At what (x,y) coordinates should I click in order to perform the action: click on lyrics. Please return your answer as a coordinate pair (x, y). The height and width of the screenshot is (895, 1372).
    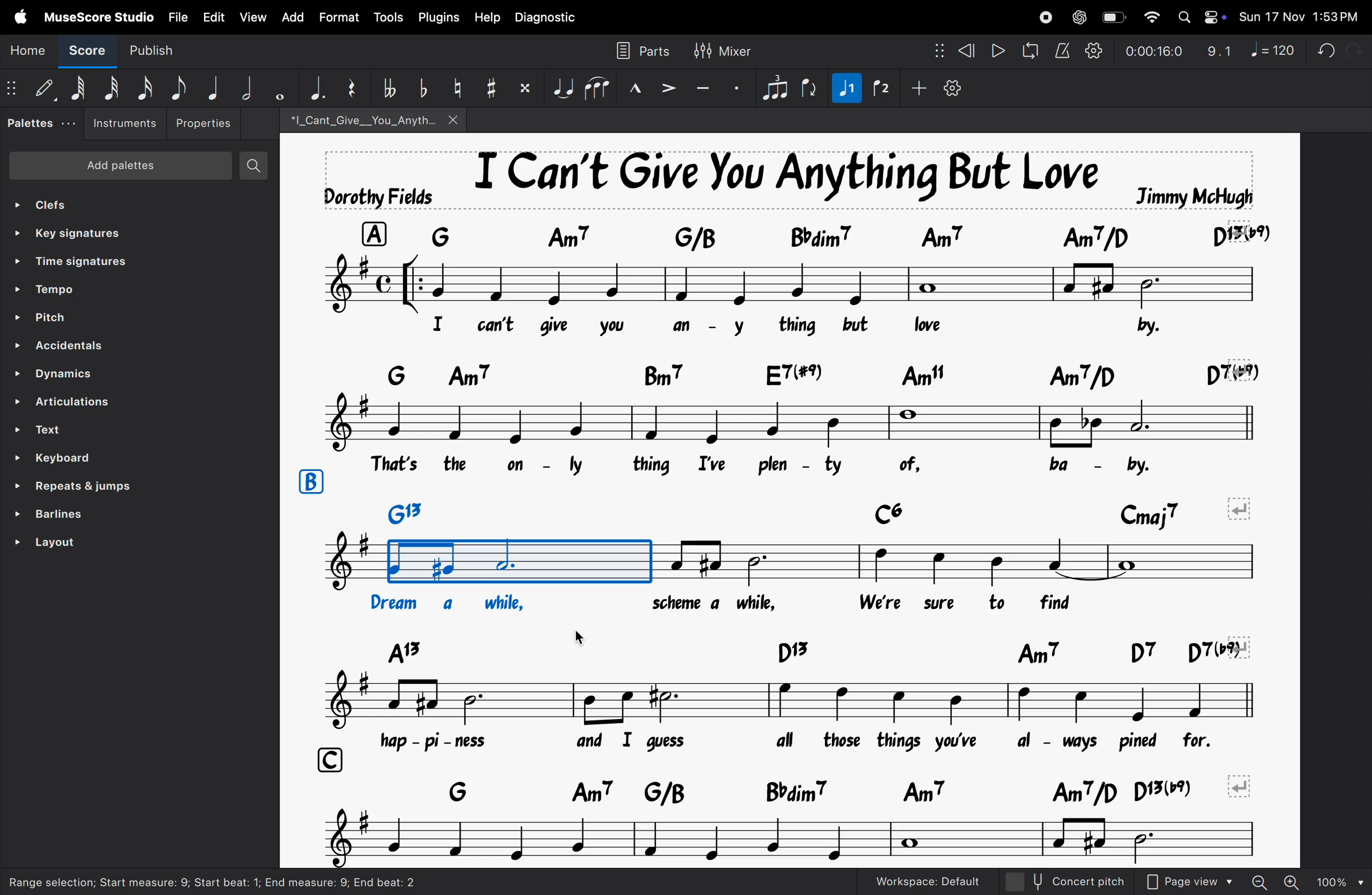
    Looking at the image, I should click on (800, 742).